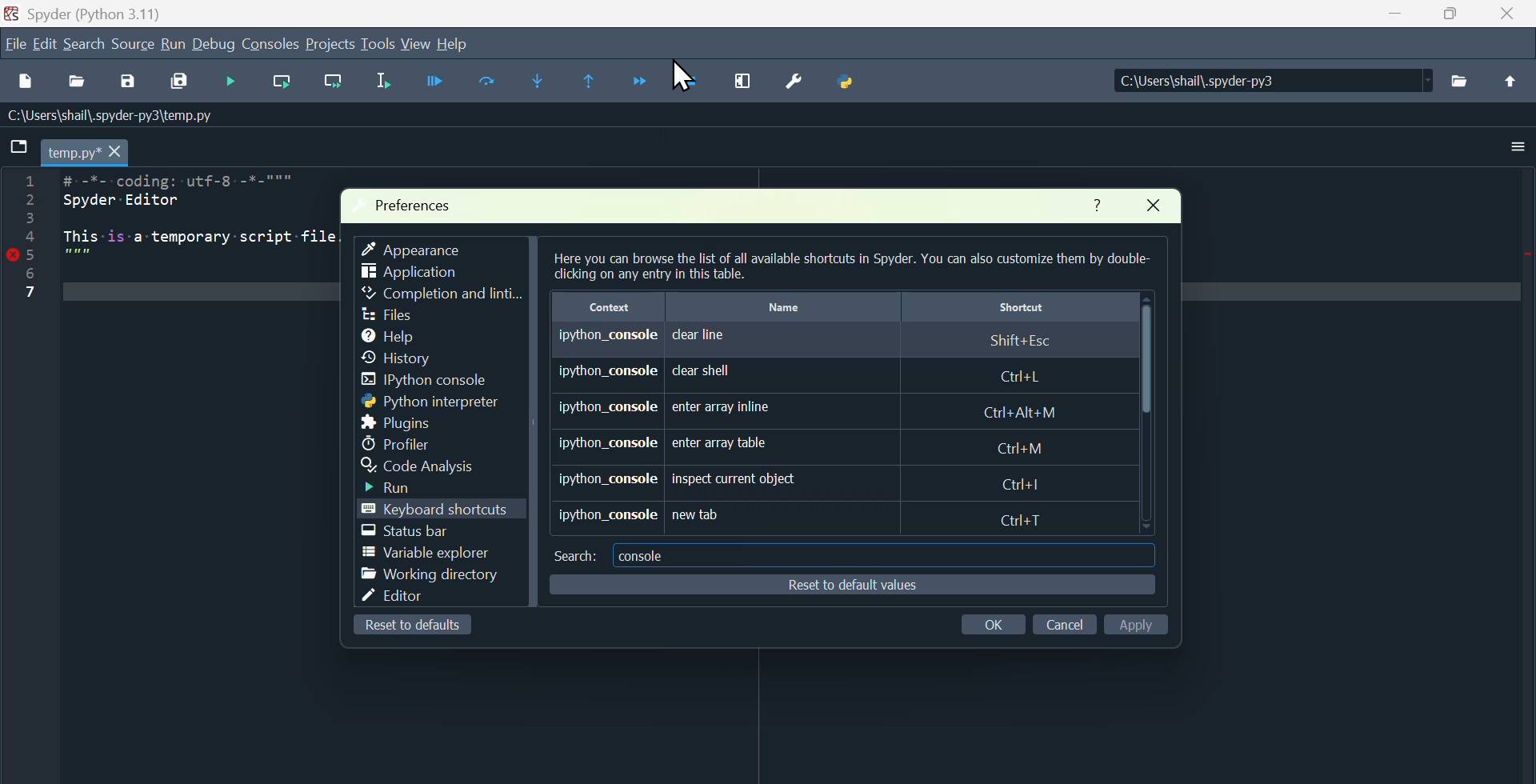 This screenshot has width=1536, height=784. I want to click on Debug, so click(438, 82).